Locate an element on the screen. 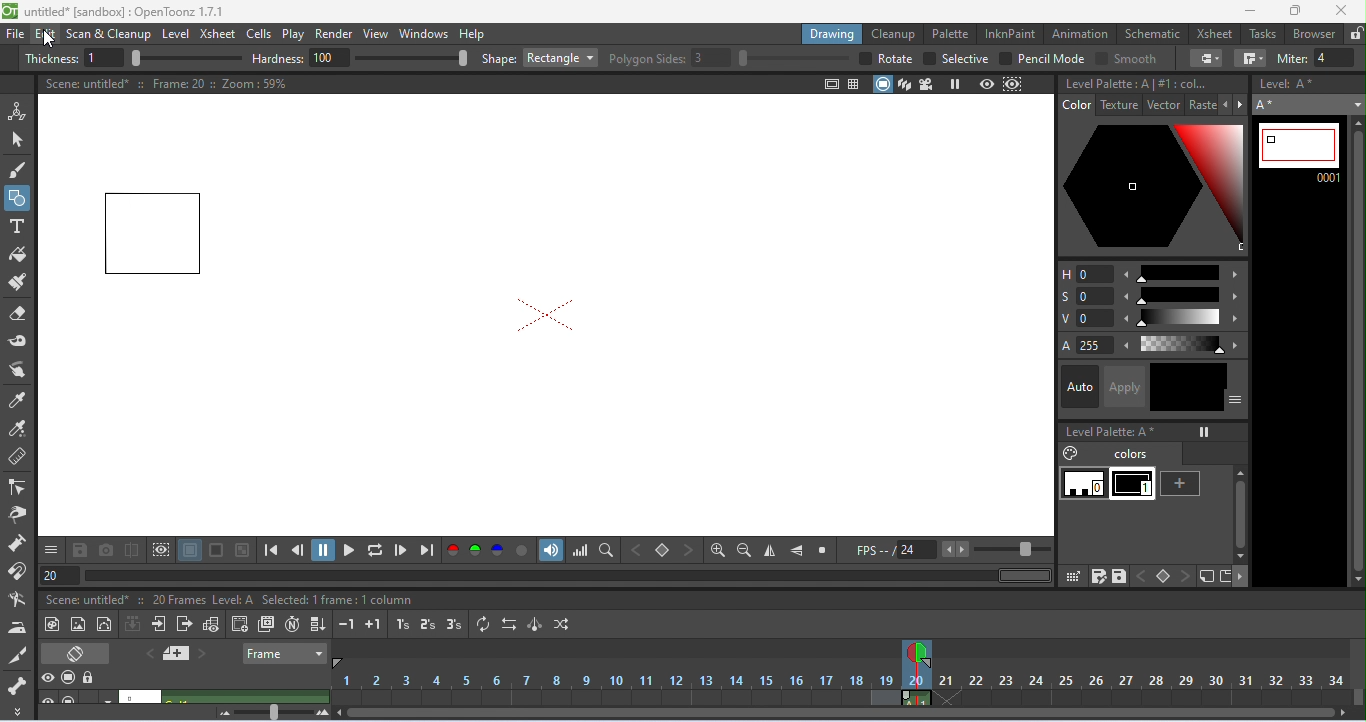 The height and width of the screenshot is (722, 1366). fill is located at coordinates (16, 253).